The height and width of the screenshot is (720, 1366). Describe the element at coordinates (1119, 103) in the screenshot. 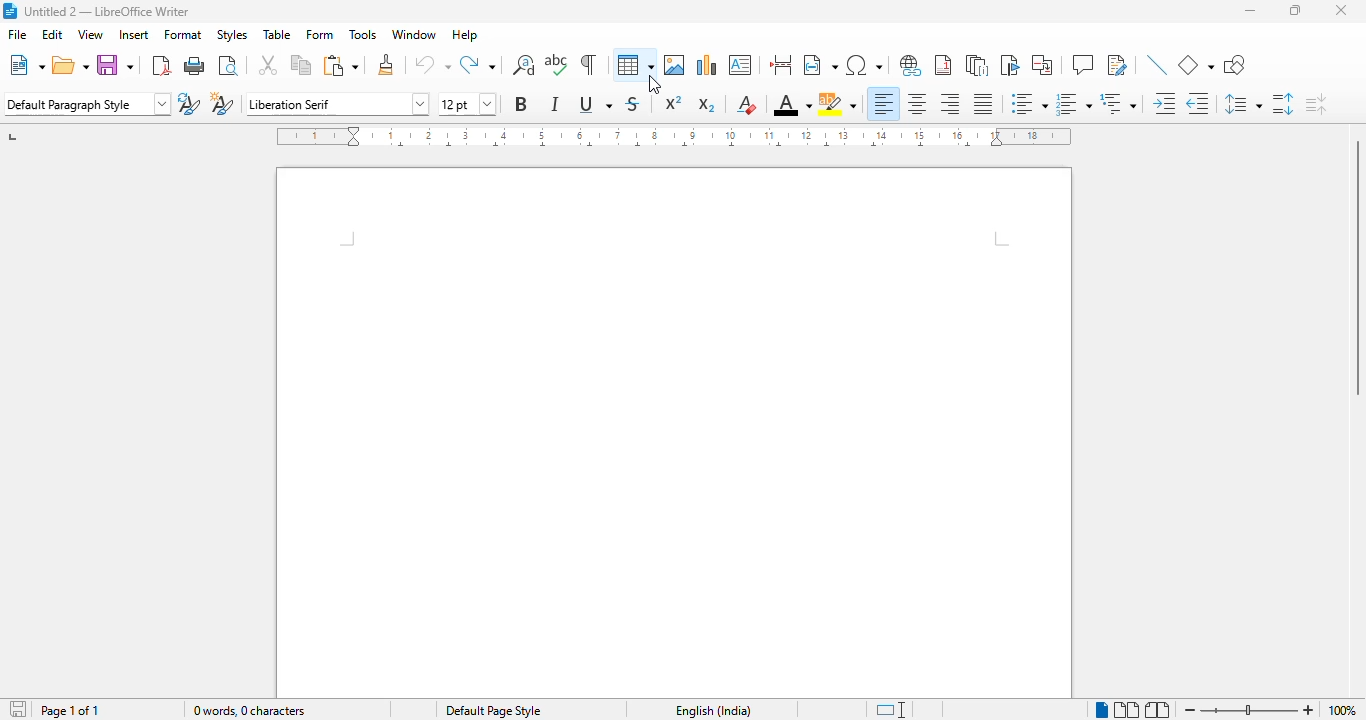

I see `select outline format` at that location.